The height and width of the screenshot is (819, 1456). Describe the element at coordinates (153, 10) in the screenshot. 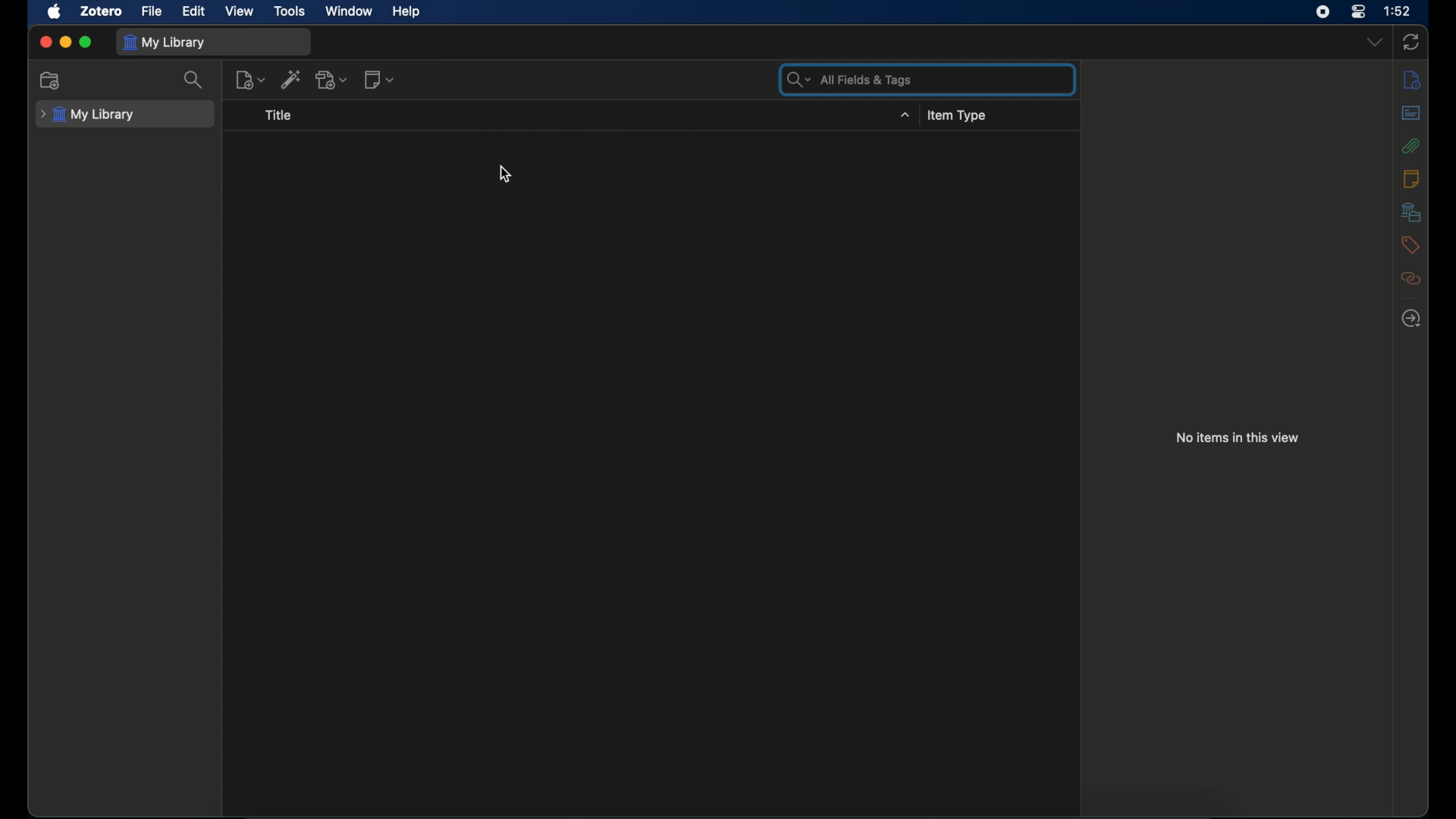

I see `file` at that location.